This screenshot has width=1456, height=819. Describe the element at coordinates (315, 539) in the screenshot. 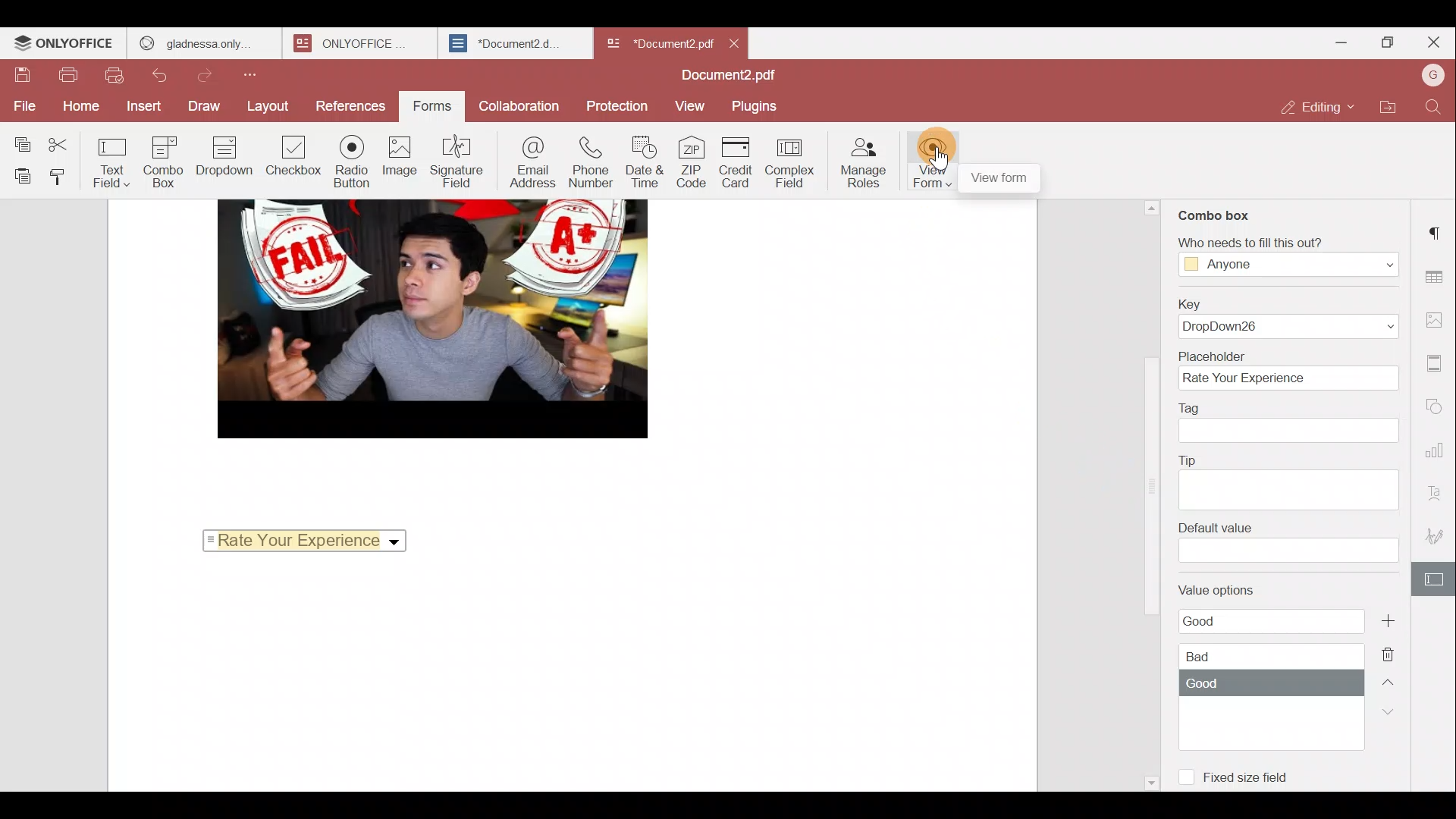

I see `Rate Your Experience ` at that location.